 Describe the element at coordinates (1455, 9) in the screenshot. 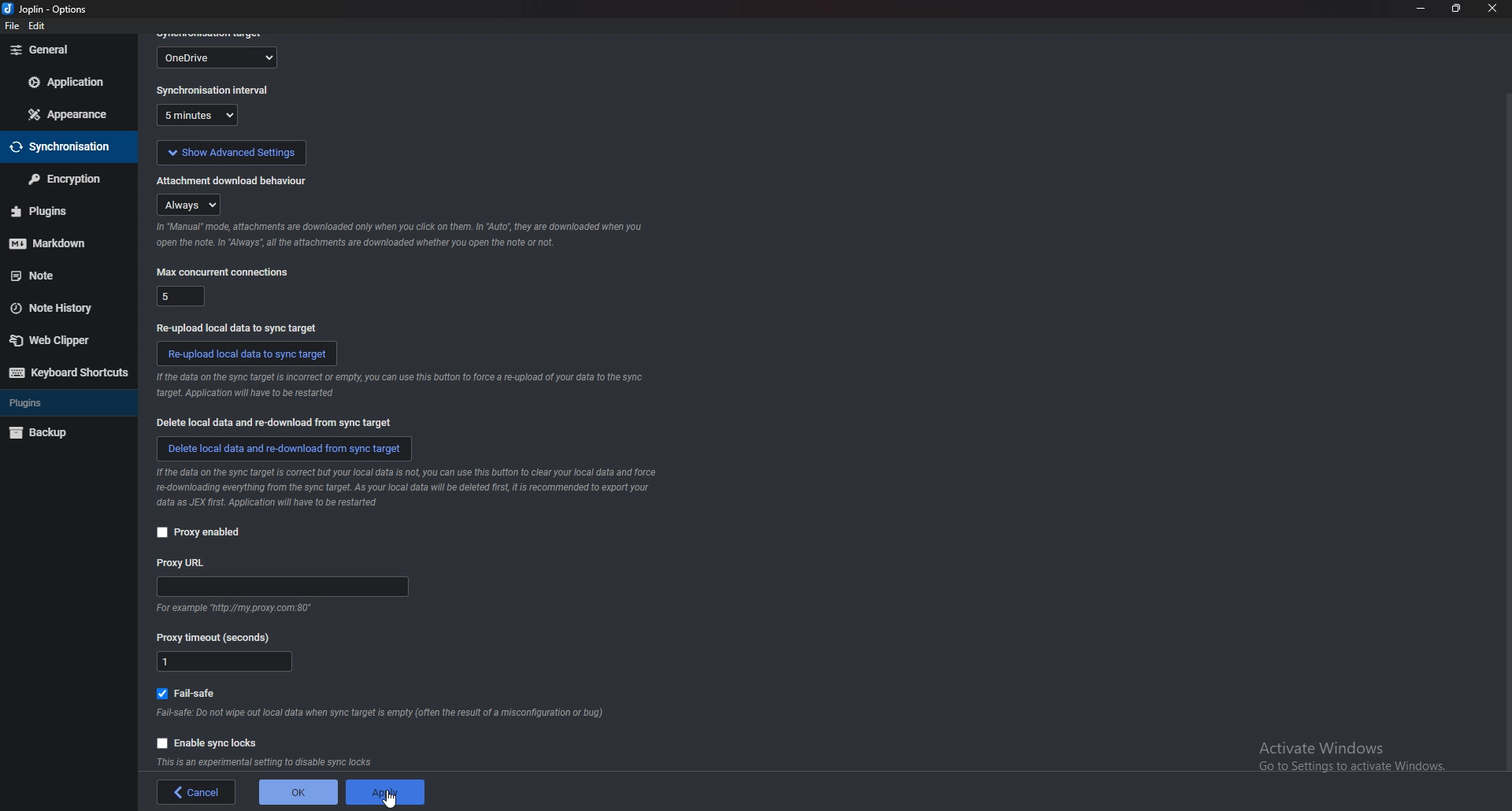

I see `resize` at that location.